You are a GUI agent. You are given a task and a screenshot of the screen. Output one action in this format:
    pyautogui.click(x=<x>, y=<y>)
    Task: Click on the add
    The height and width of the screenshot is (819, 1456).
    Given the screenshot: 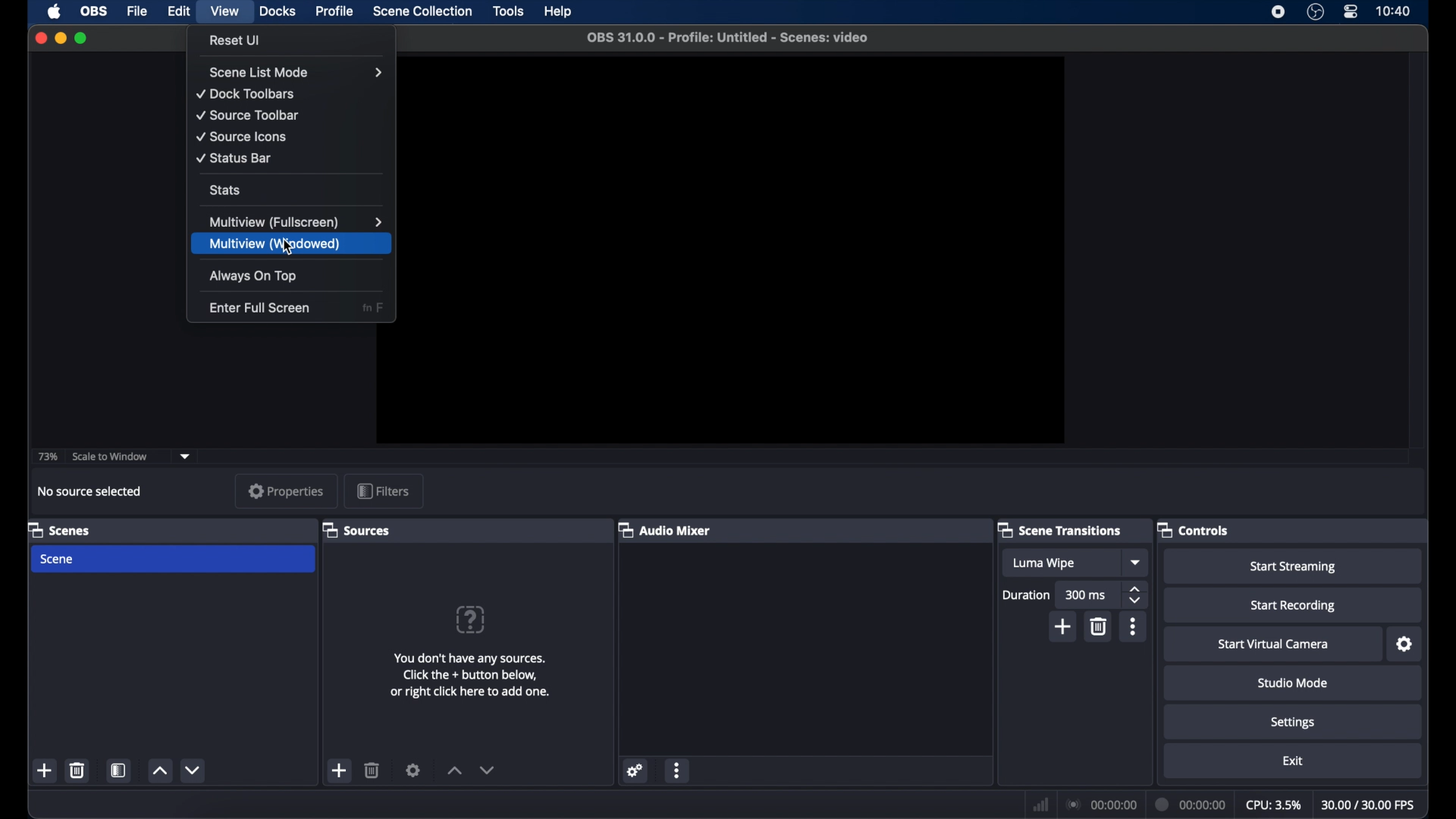 What is the action you would take?
    pyautogui.click(x=340, y=770)
    